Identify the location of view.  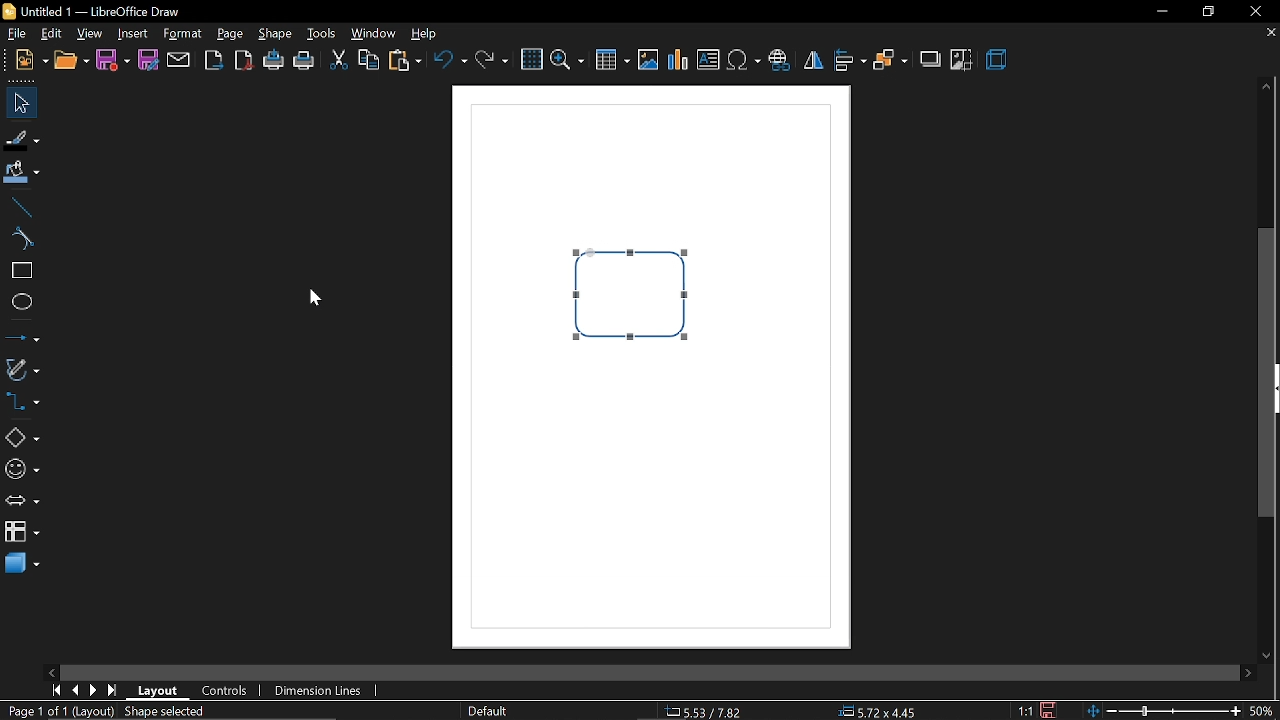
(90, 34).